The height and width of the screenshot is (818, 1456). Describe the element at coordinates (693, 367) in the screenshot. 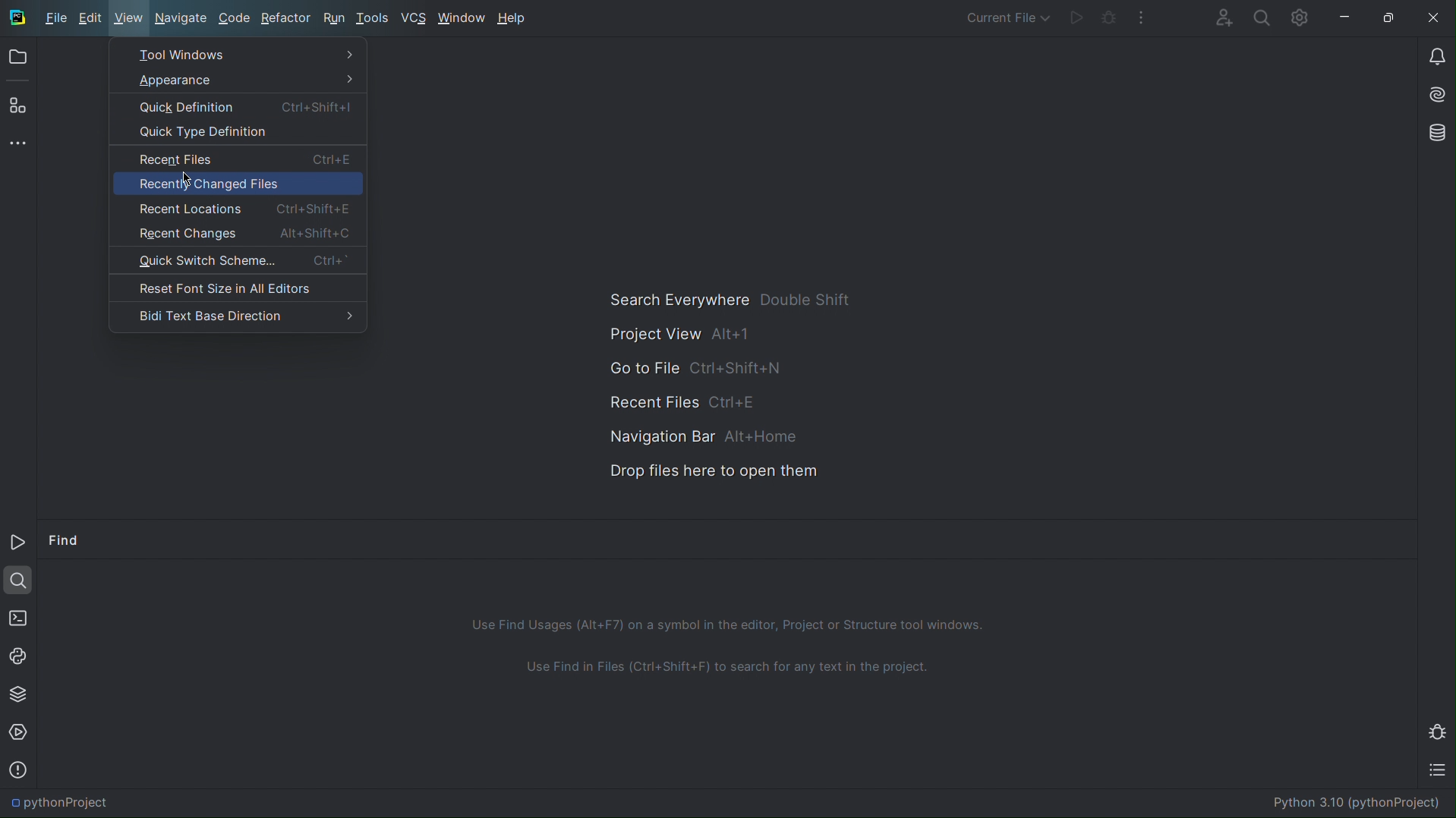

I see `Go to File` at that location.